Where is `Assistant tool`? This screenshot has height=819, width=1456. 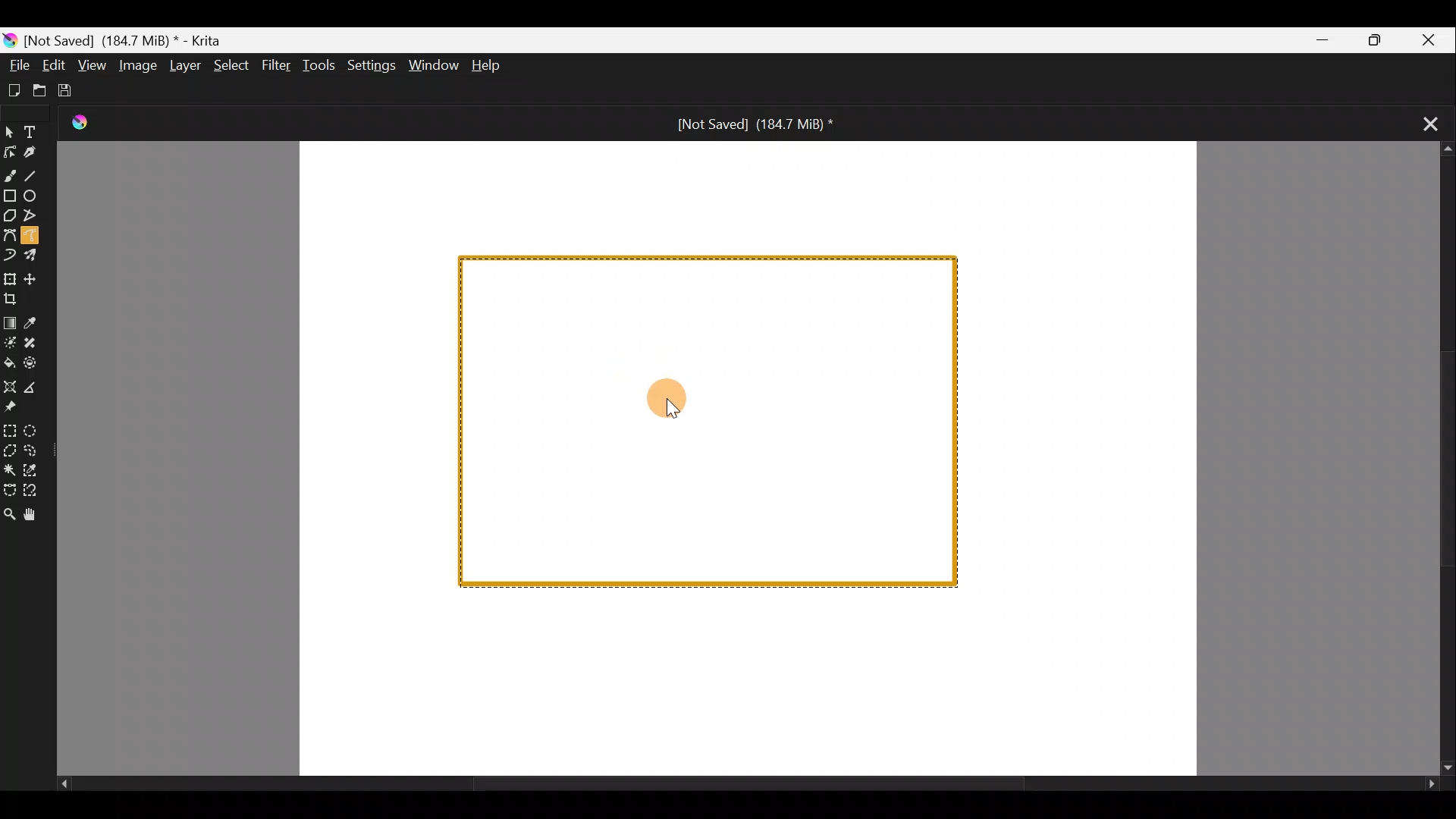
Assistant tool is located at coordinates (9, 386).